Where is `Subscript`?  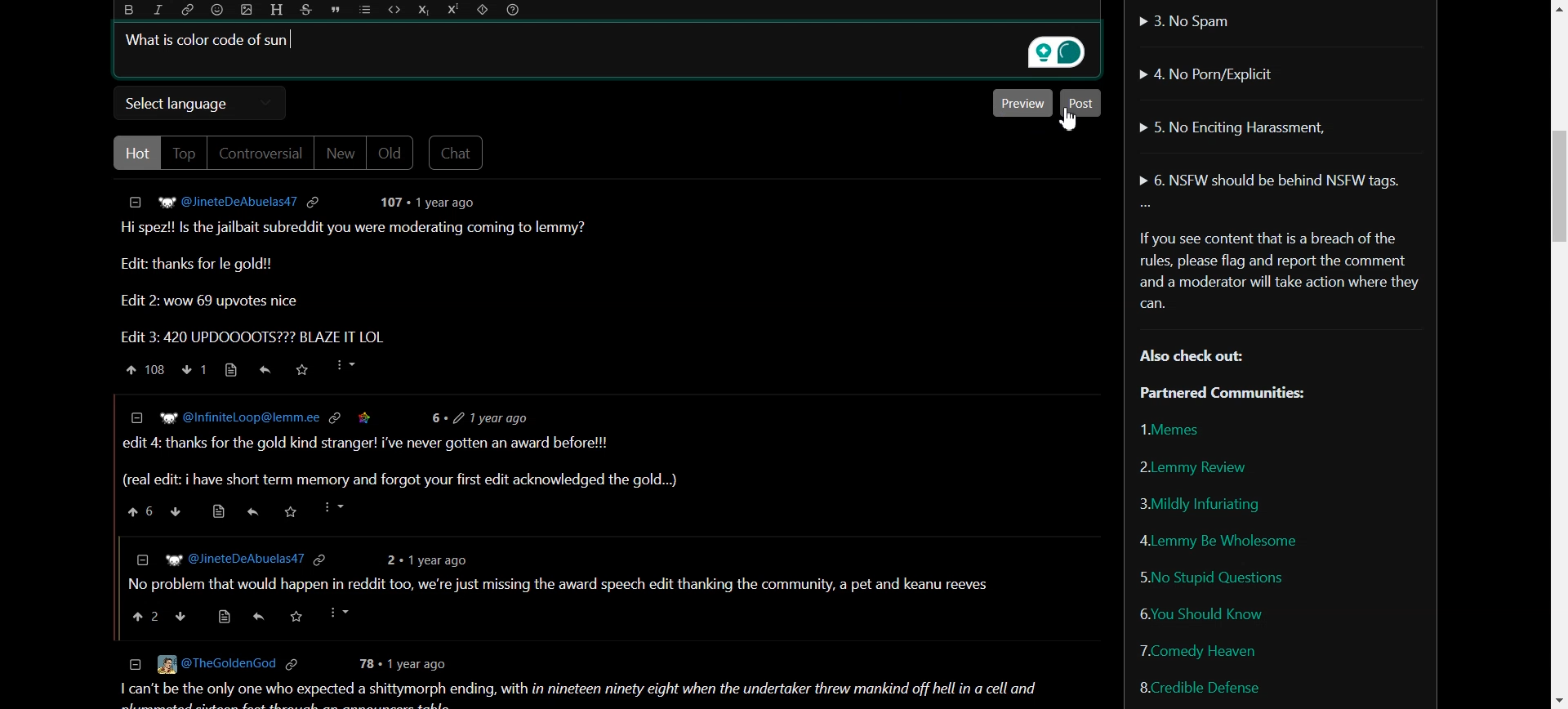
Subscript is located at coordinates (424, 10).